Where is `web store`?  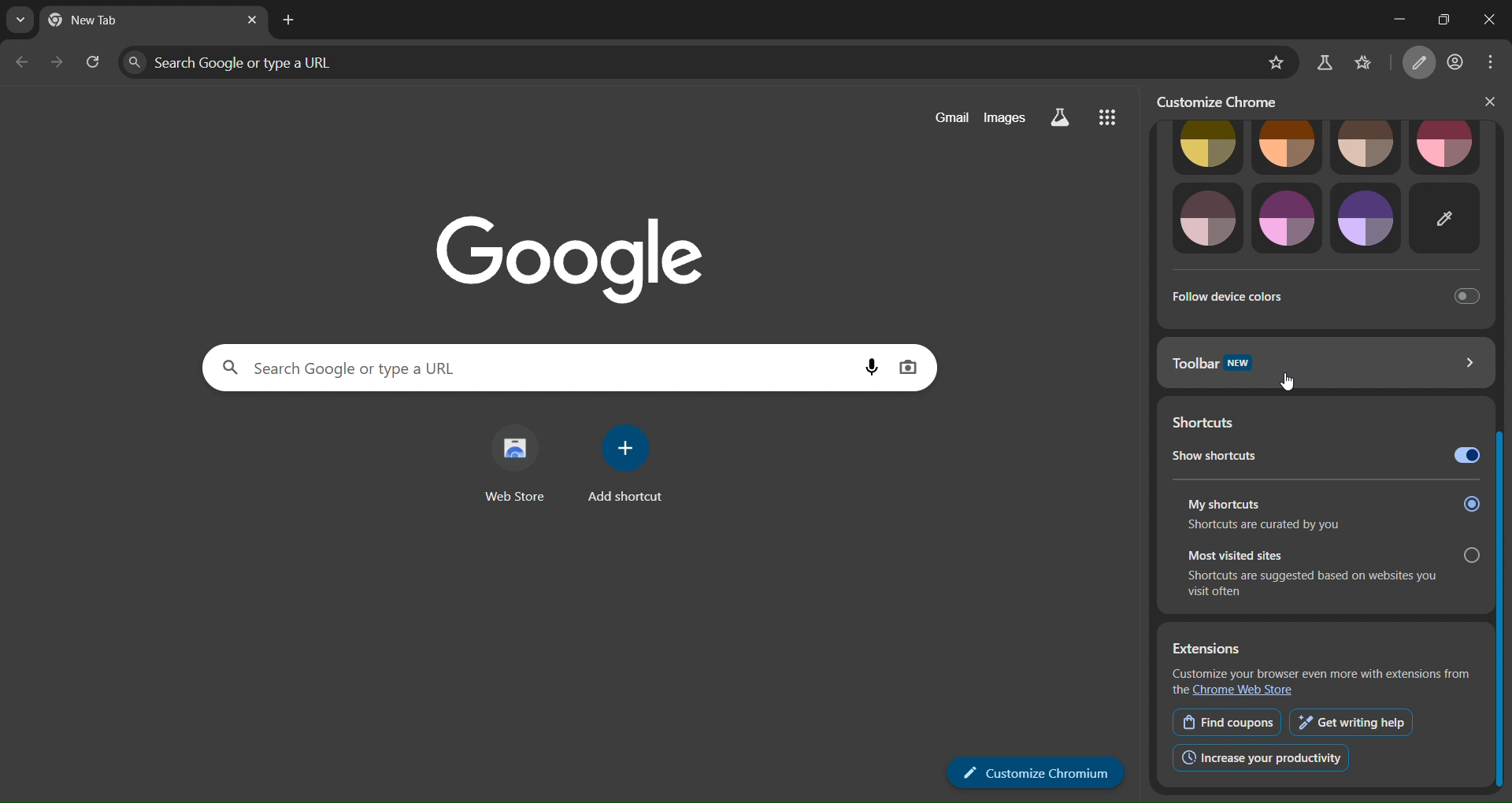 web store is located at coordinates (511, 466).